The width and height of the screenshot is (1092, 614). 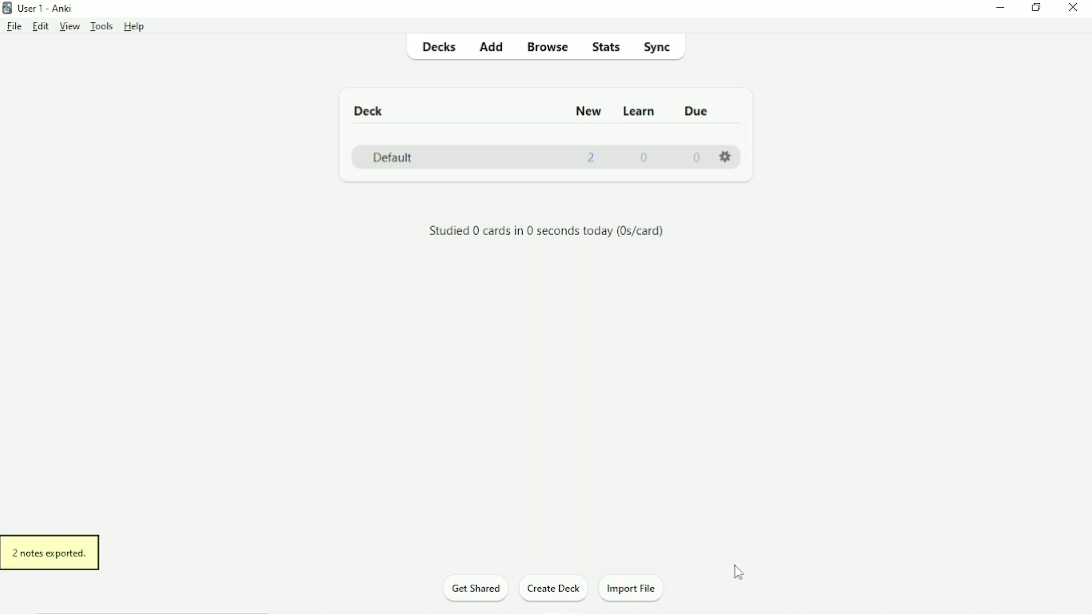 What do you see at coordinates (590, 112) in the screenshot?
I see `New` at bounding box center [590, 112].